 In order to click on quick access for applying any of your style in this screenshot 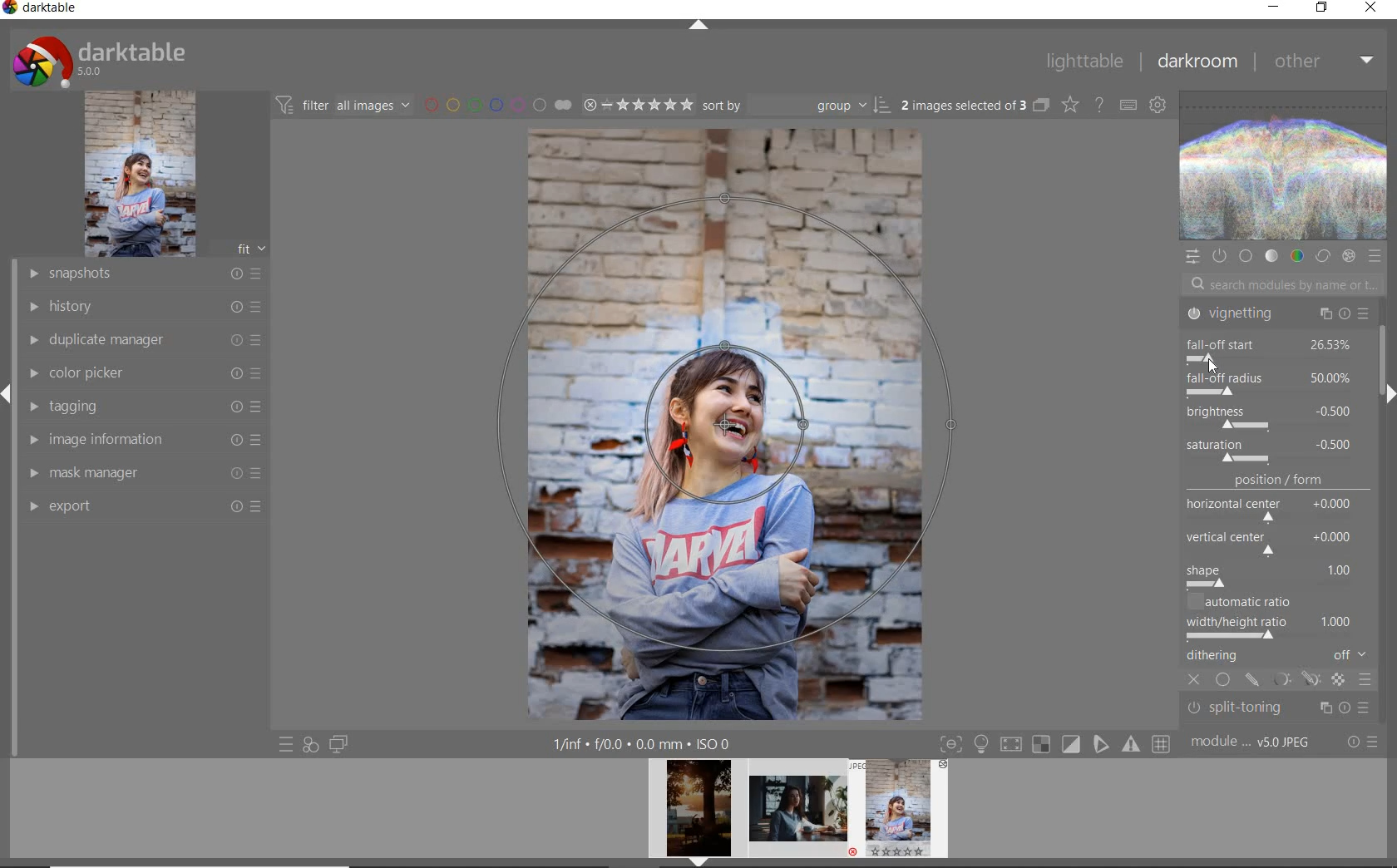, I will do `click(309, 744)`.